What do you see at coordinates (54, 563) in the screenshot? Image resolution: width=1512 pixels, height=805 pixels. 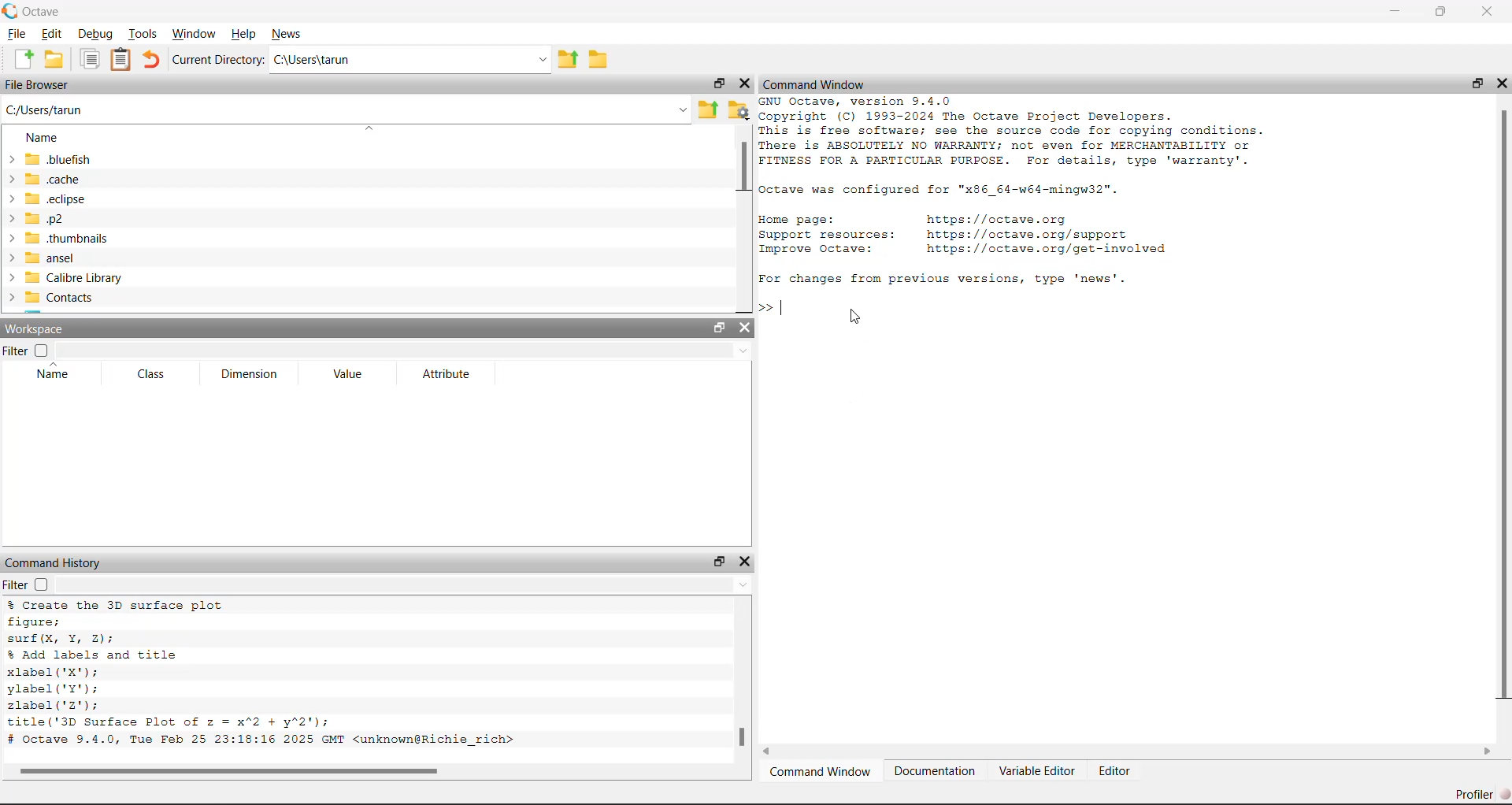 I see `Command History` at bounding box center [54, 563].